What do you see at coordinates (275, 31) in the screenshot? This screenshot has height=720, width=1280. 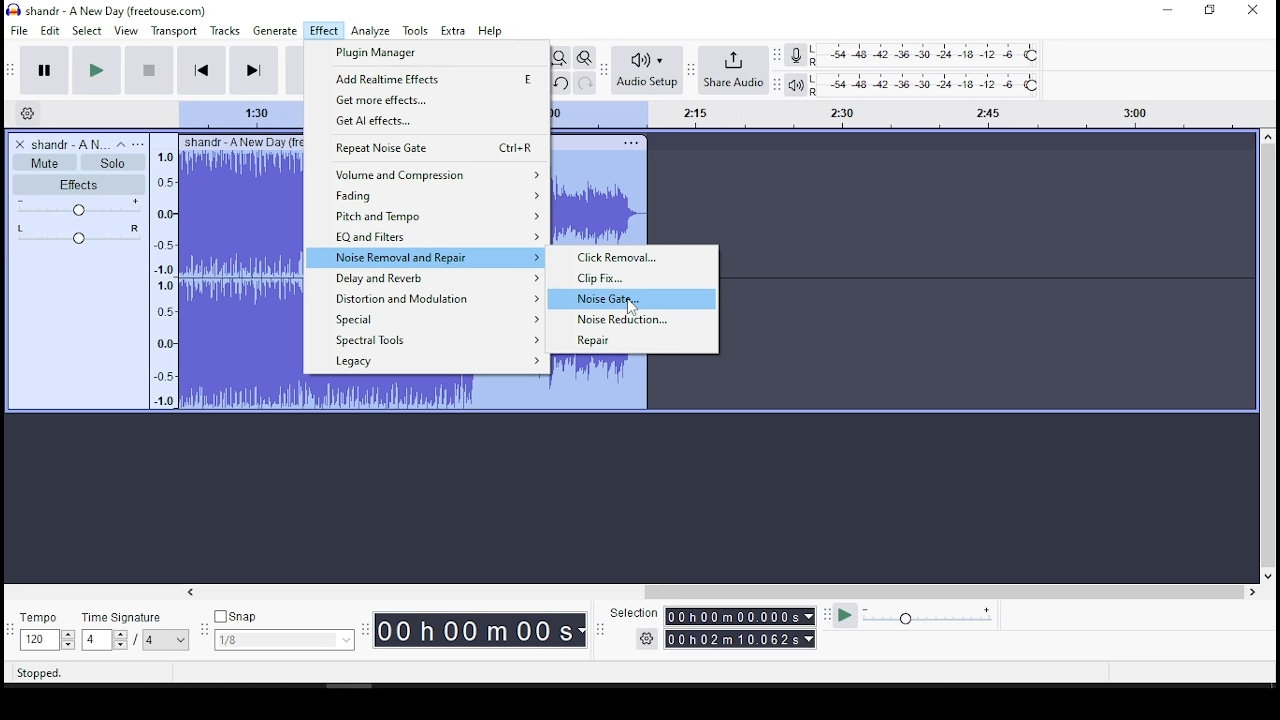 I see `generate` at bounding box center [275, 31].